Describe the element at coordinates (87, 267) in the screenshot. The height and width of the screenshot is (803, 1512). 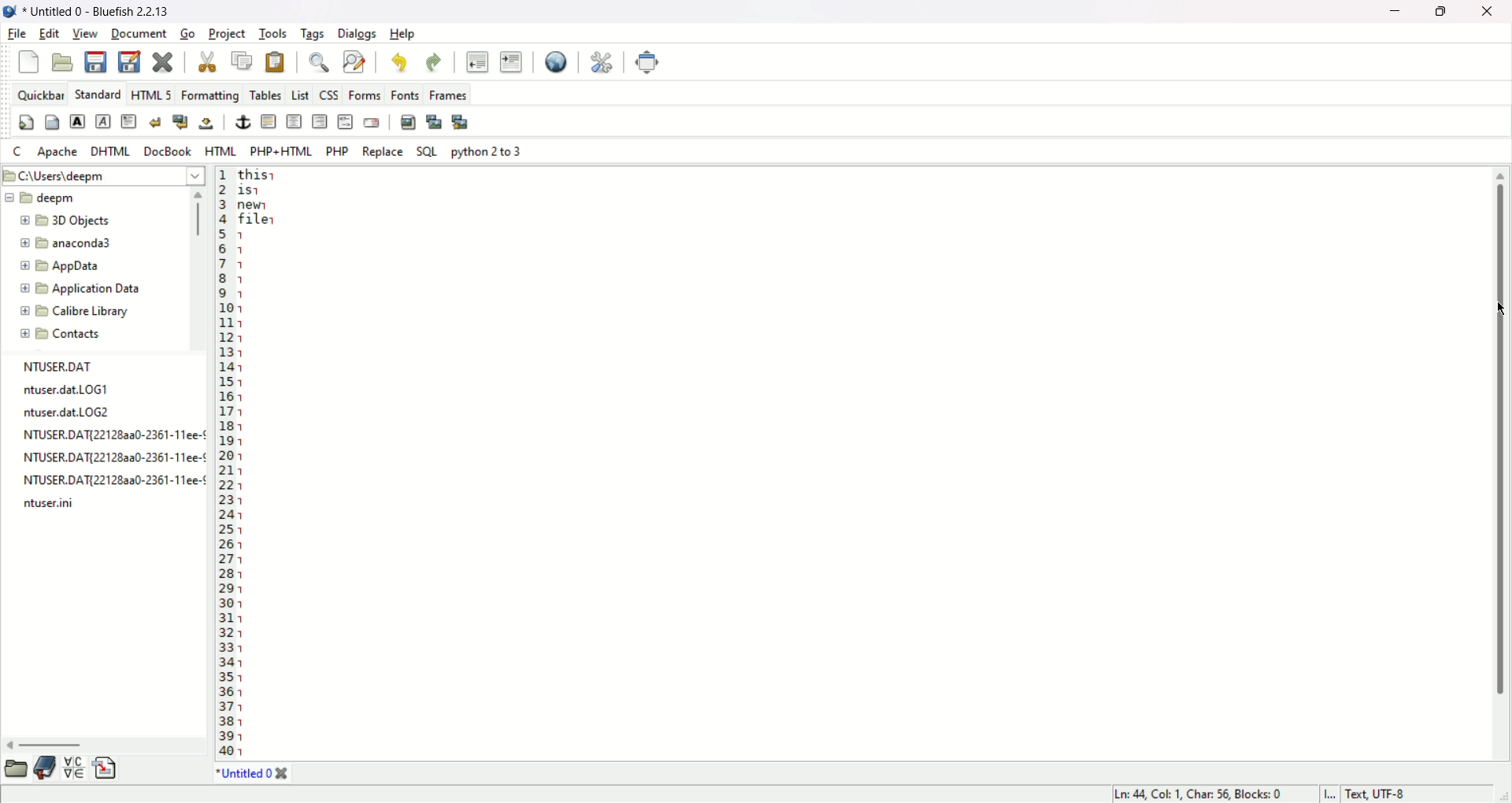
I see `Folder name` at that location.